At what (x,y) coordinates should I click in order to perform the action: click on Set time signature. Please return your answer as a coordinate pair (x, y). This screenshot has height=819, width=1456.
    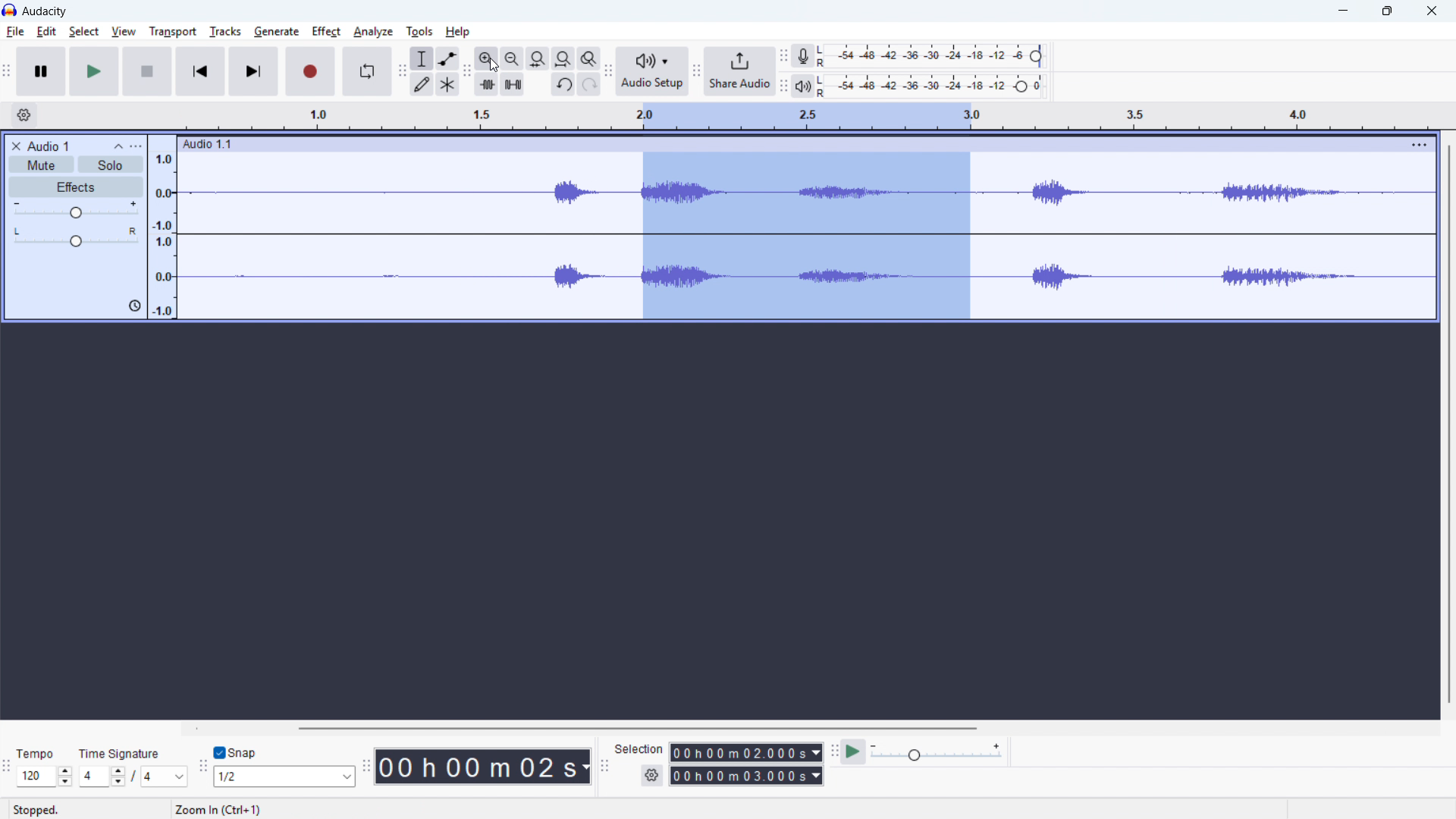
    Looking at the image, I should click on (133, 777).